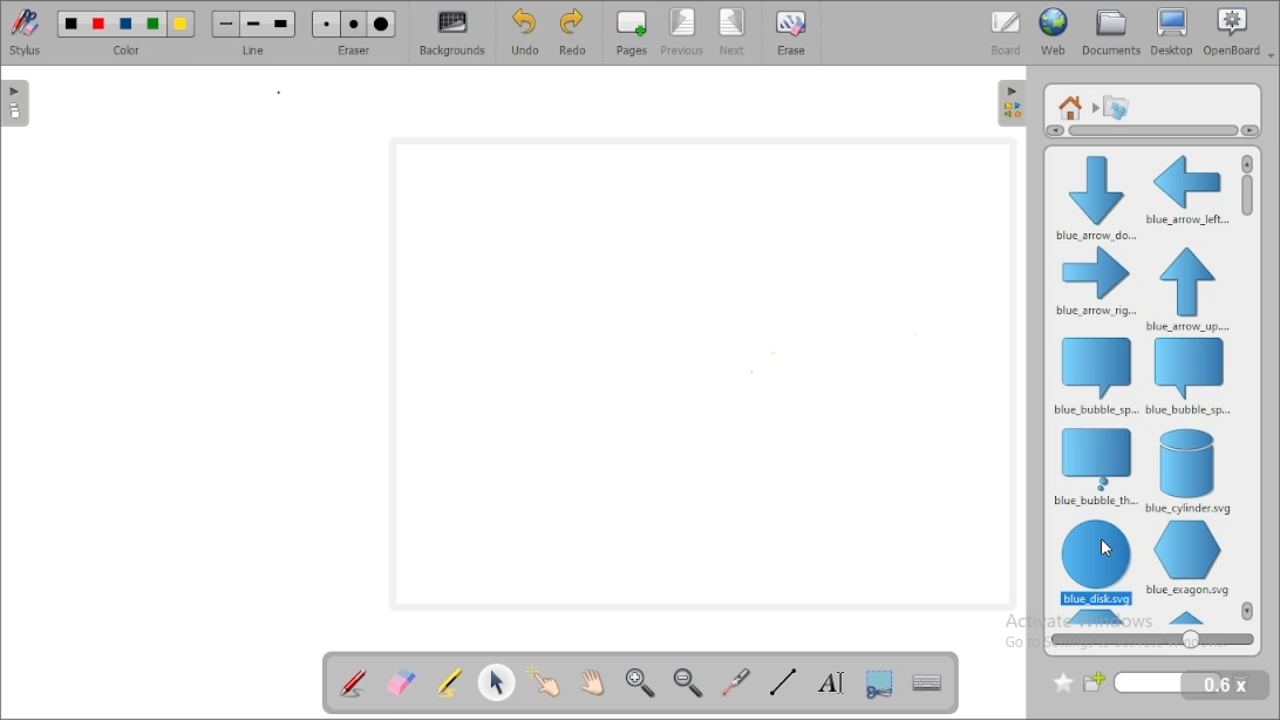  What do you see at coordinates (737, 683) in the screenshot?
I see `visual laser pointer` at bounding box center [737, 683].